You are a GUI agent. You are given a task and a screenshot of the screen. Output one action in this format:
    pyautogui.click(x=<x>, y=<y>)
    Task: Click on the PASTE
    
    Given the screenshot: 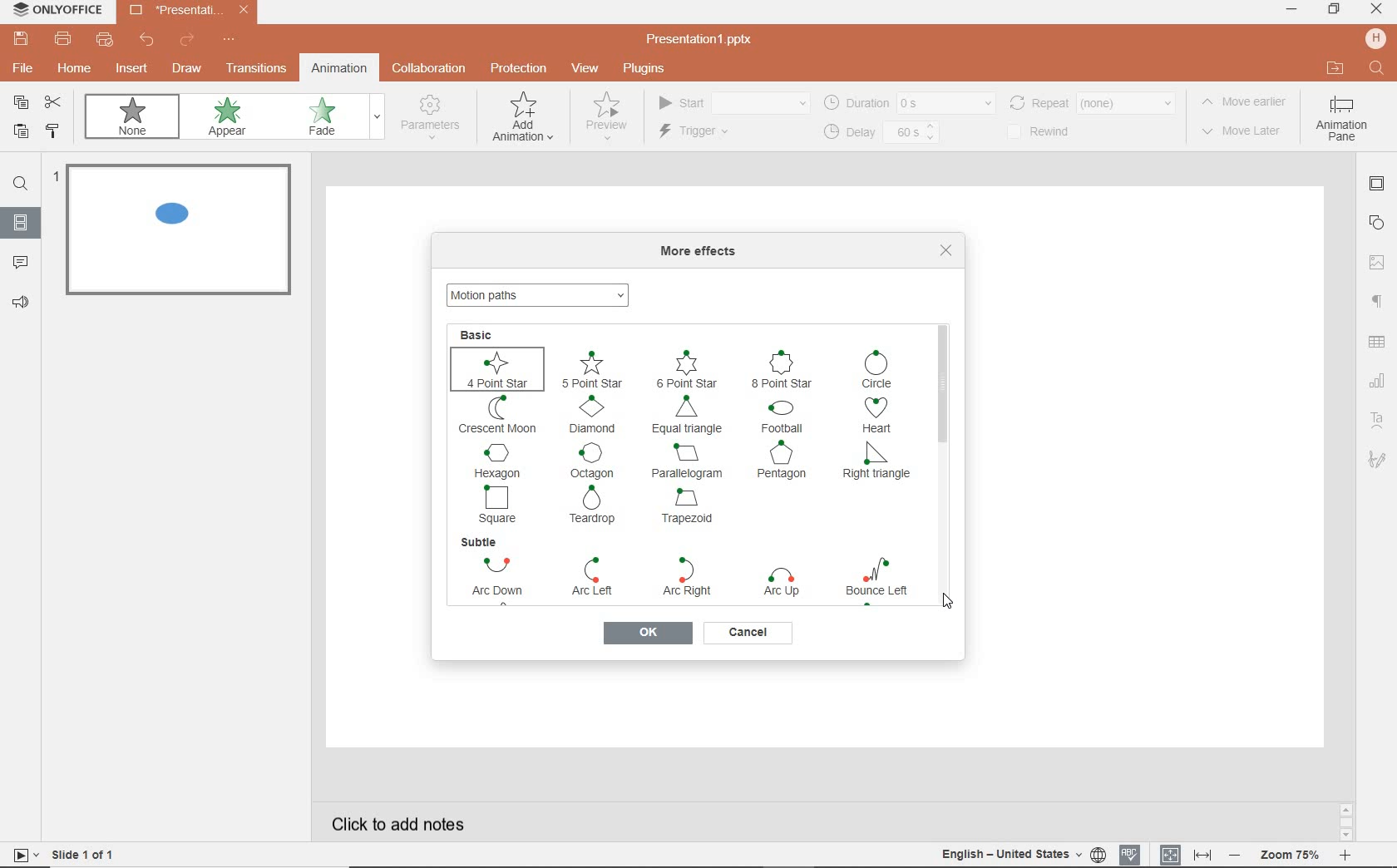 What is the action you would take?
    pyautogui.click(x=20, y=133)
    